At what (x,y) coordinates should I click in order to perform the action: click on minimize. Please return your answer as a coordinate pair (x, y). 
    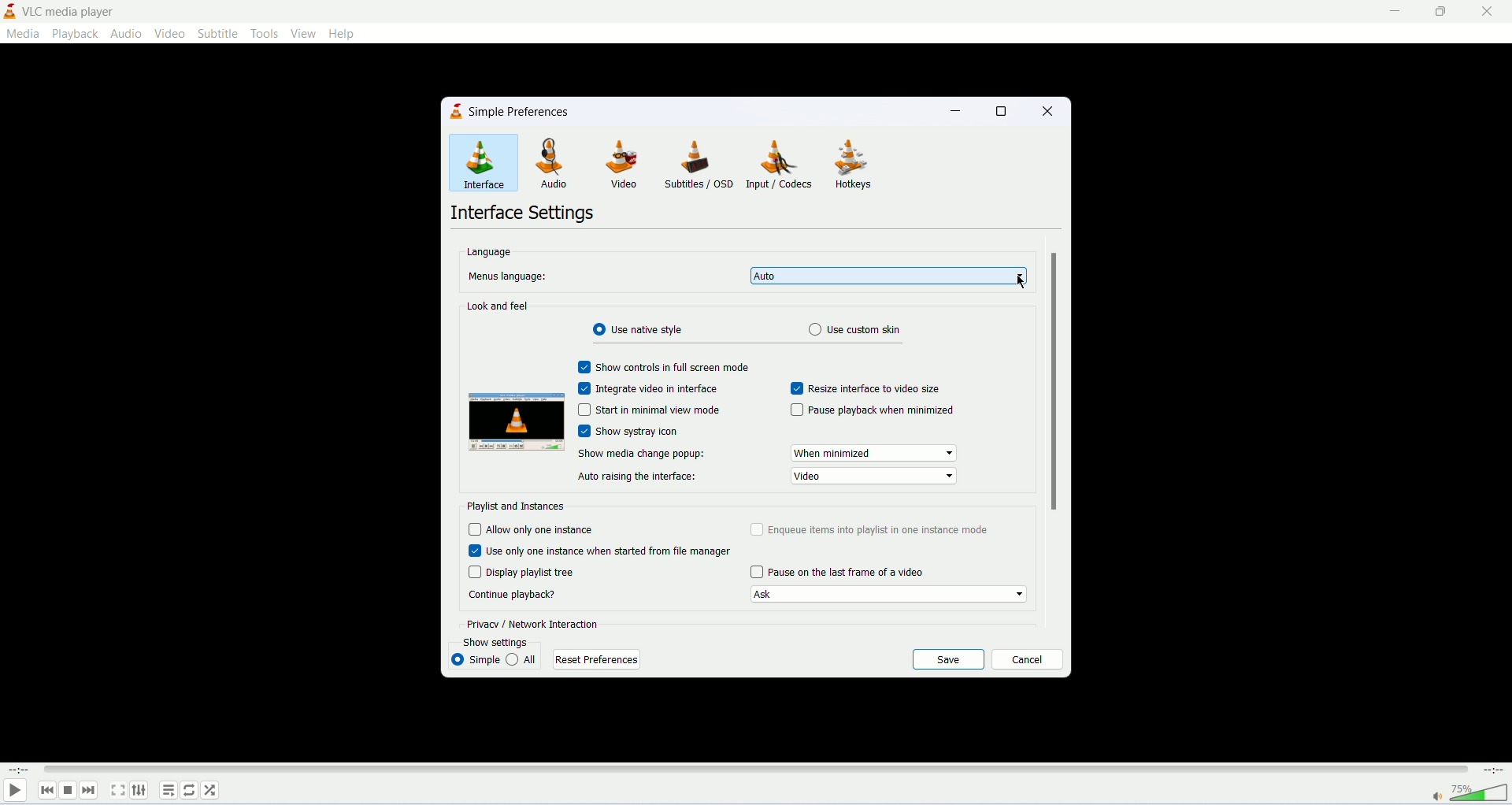
    Looking at the image, I should click on (959, 113).